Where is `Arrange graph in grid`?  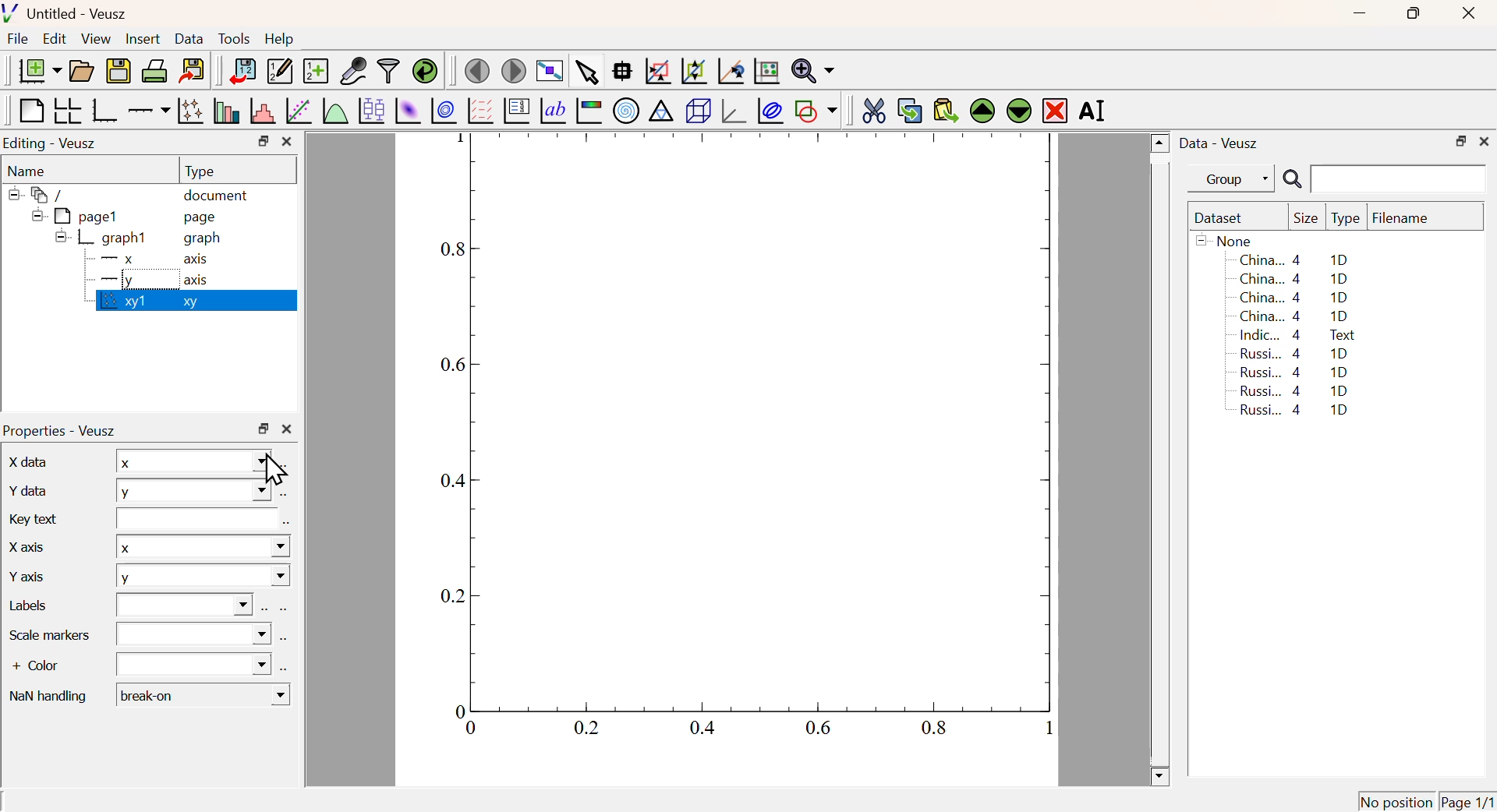
Arrange graph in grid is located at coordinates (66, 110).